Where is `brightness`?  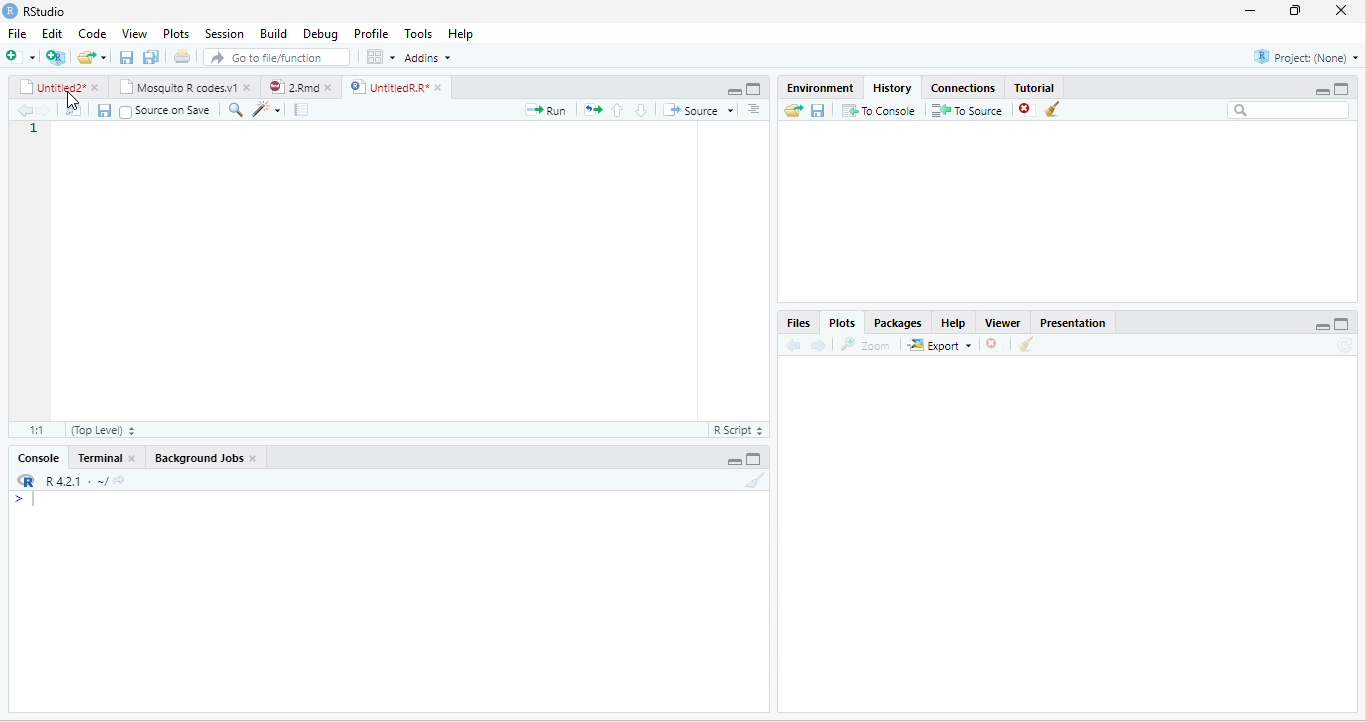
brightness is located at coordinates (267, 109).